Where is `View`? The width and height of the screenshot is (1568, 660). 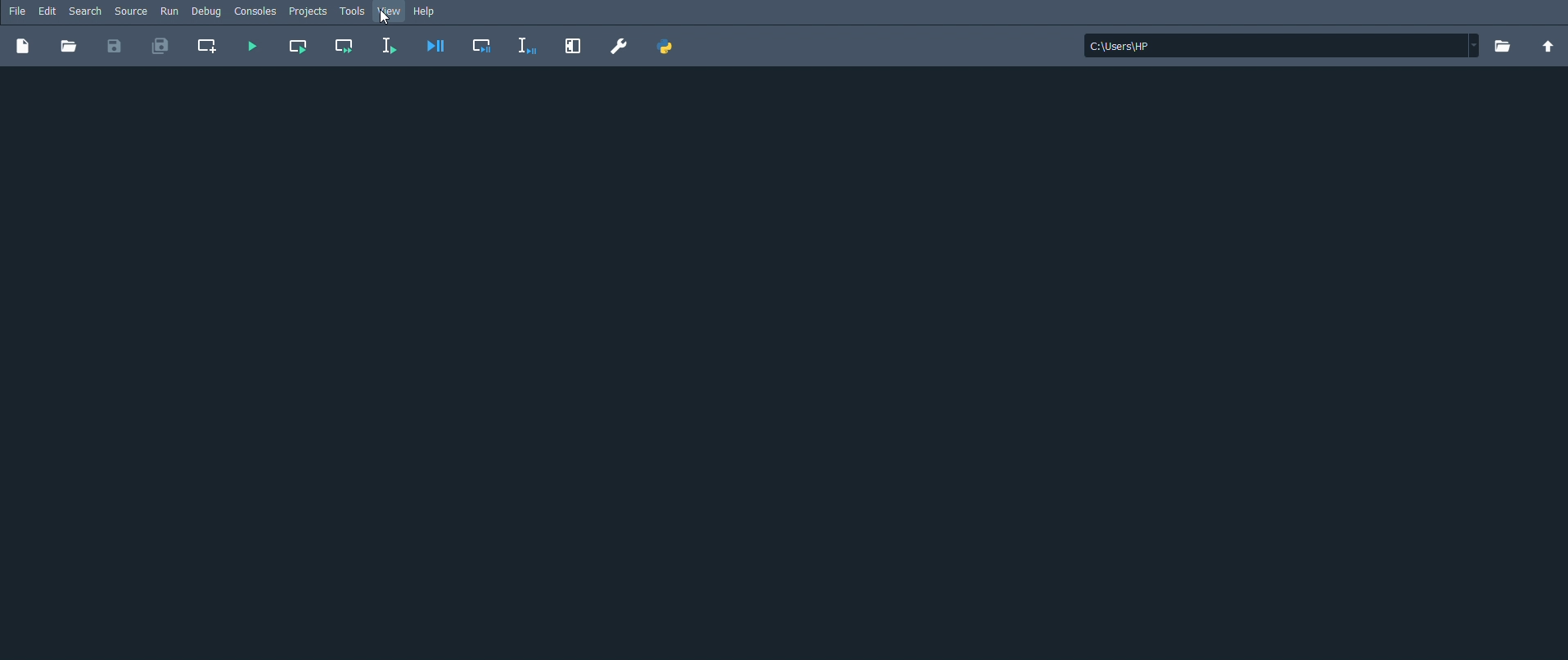 View is located at coordinates (389, 11).